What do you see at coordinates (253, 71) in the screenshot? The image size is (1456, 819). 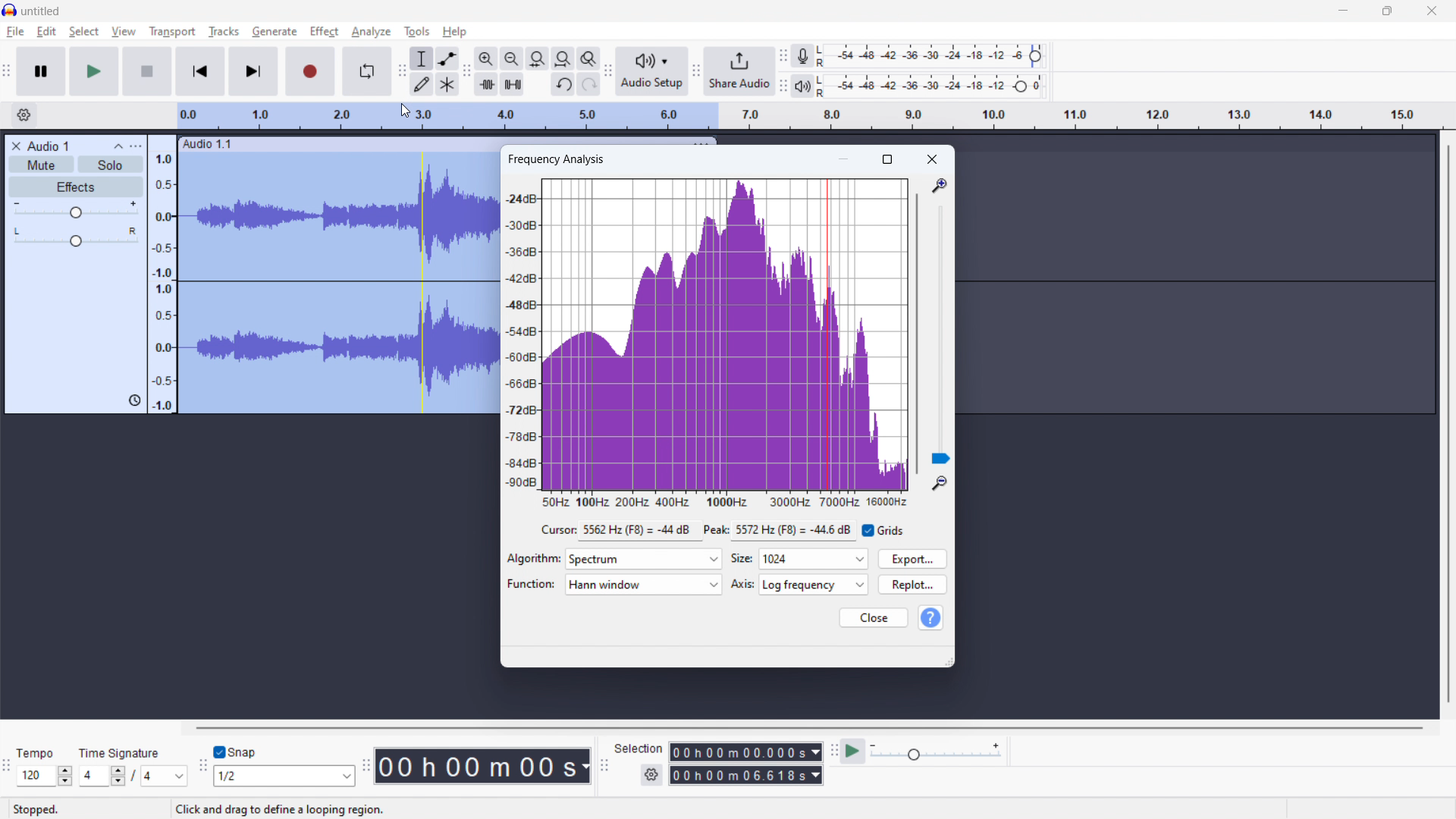 I see `skip to end` at bounding box center [253, 71].